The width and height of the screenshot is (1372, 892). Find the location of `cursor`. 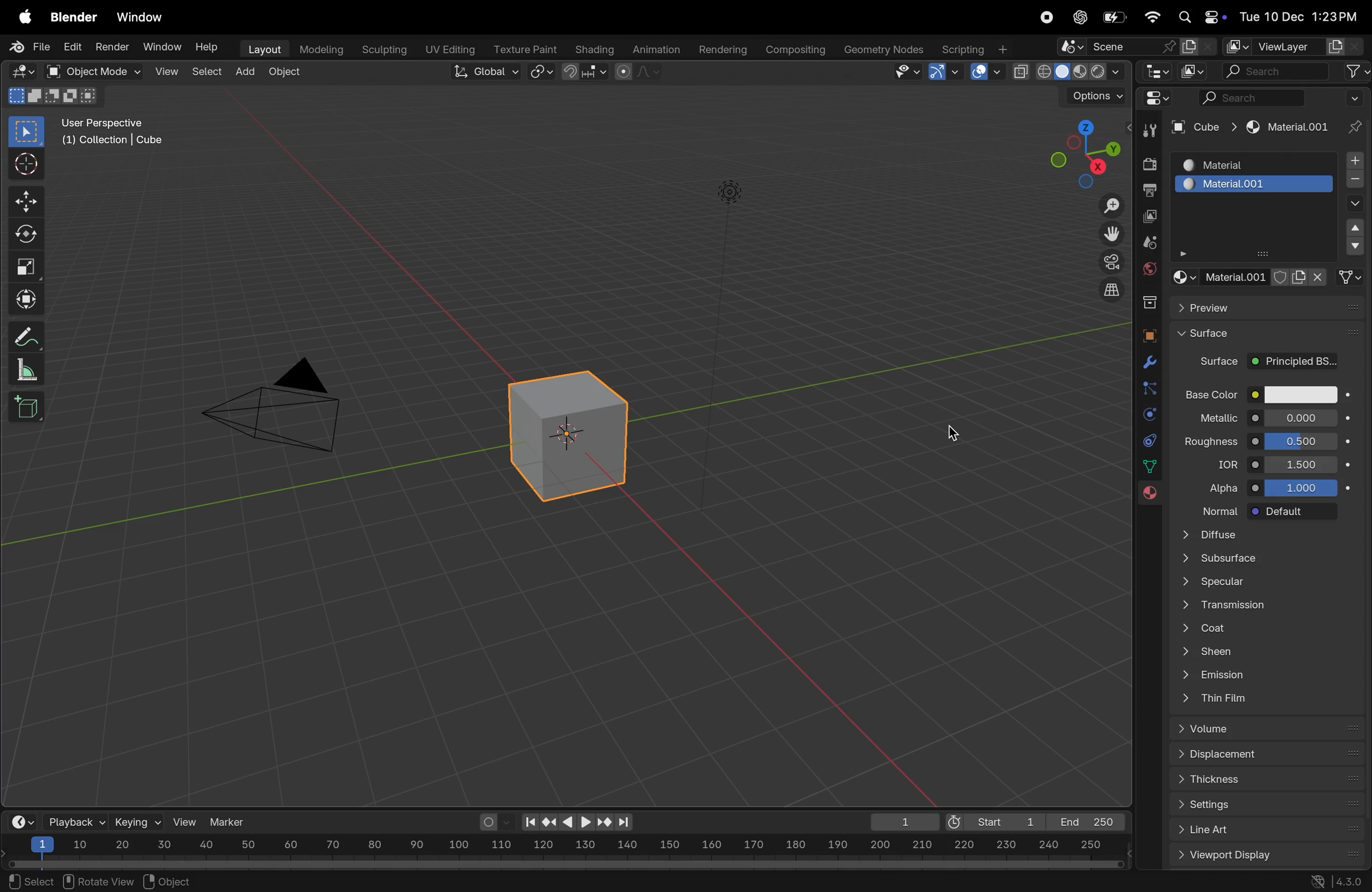

cursor is located at coordinates (962, 429).